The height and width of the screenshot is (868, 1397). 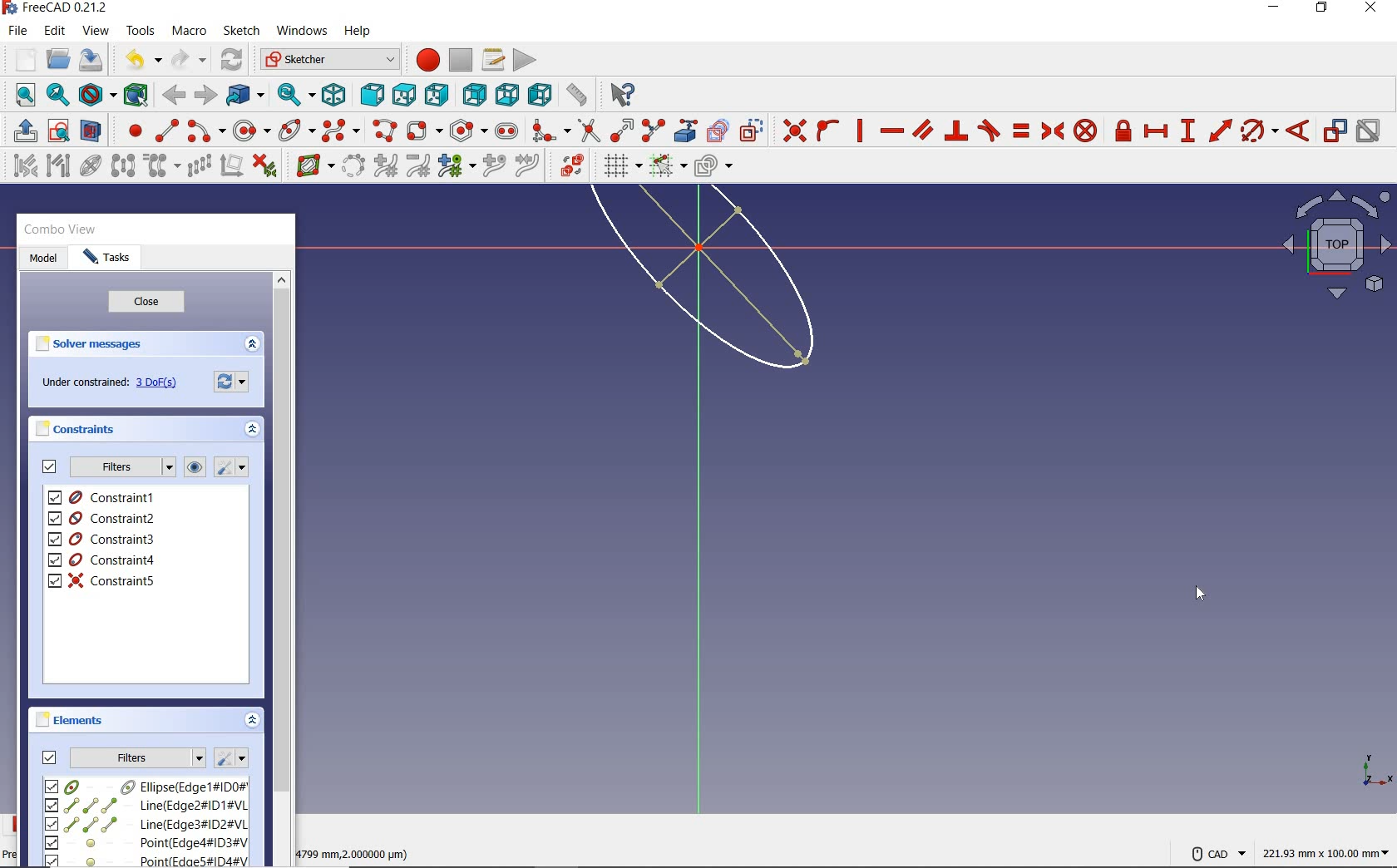 I want to click on create line, so click(x=166, y=131).